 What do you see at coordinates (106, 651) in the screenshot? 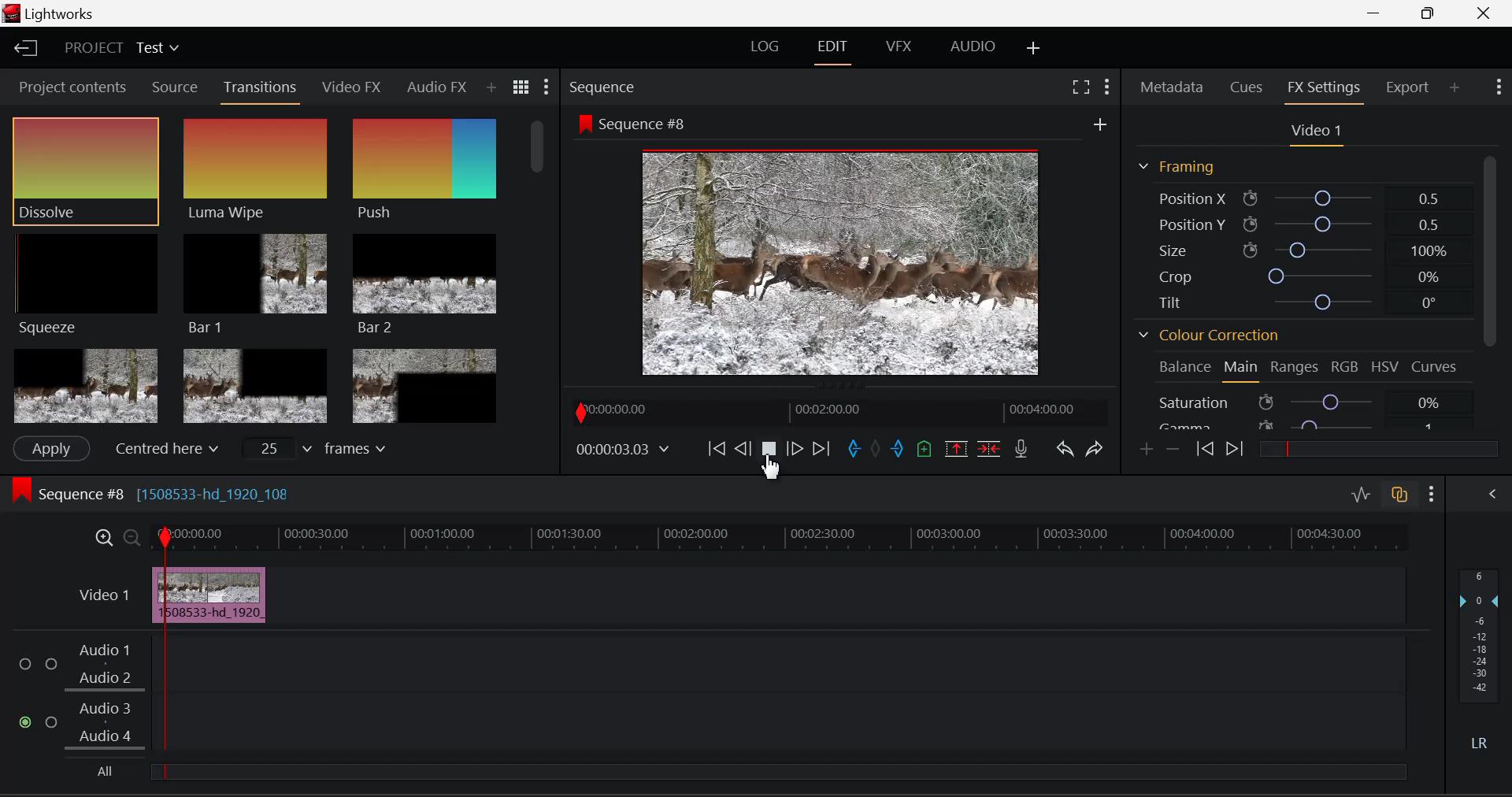
I see `Audio 1` at bounding box center [106, 651].